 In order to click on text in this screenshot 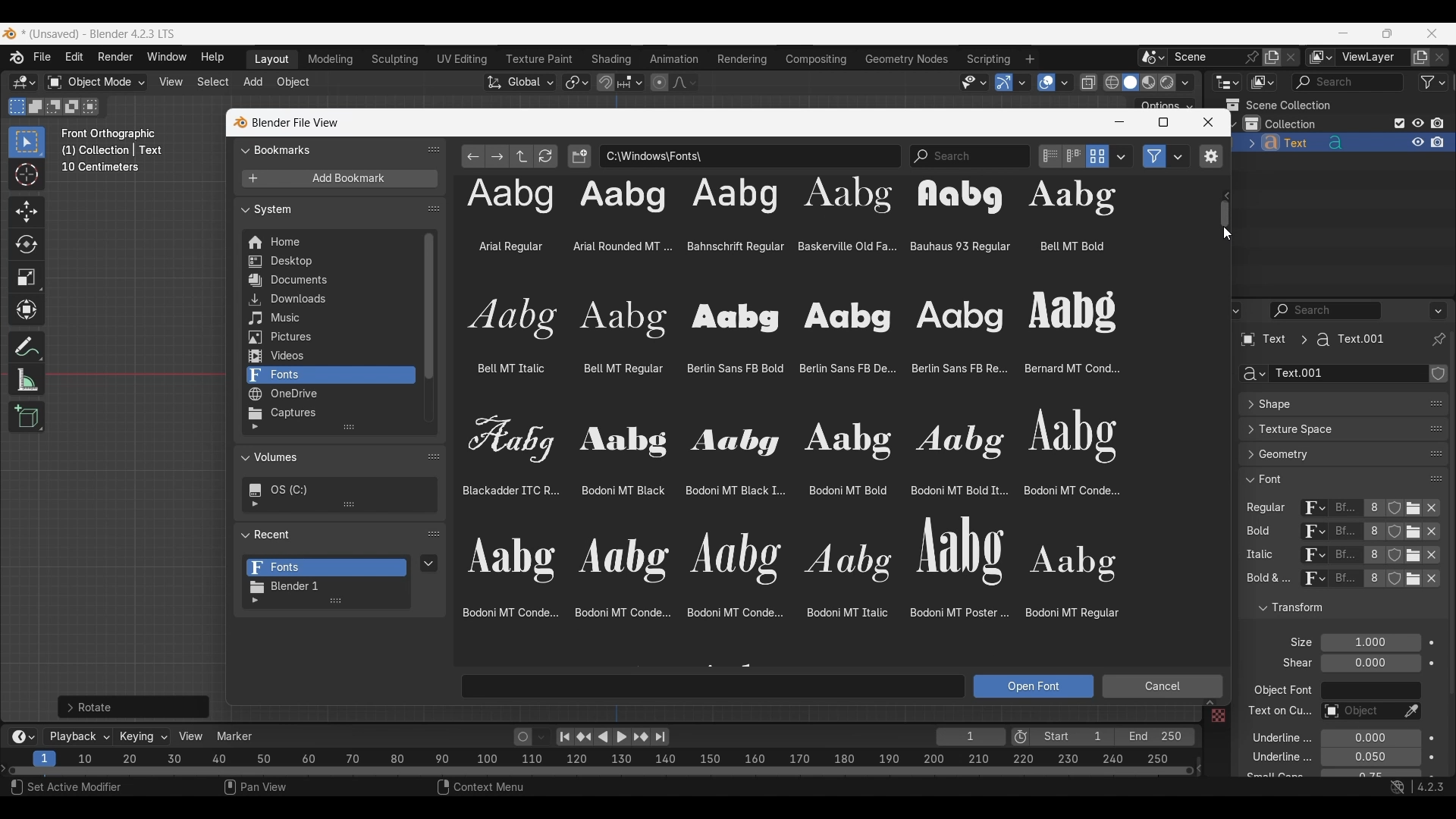, I will do `click(1293, 664)`.